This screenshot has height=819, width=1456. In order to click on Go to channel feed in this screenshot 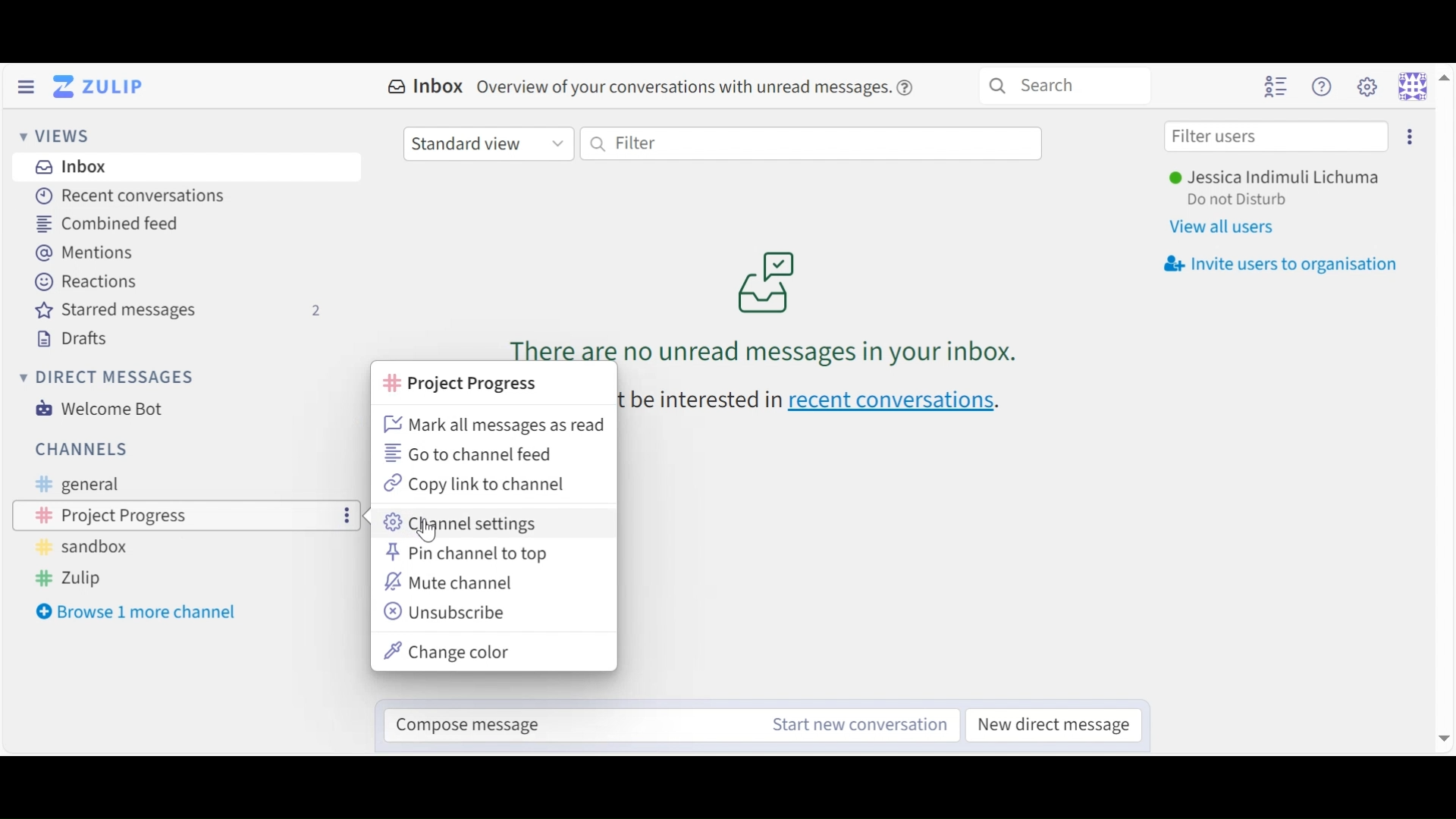, I will do `click(479, 454)`.